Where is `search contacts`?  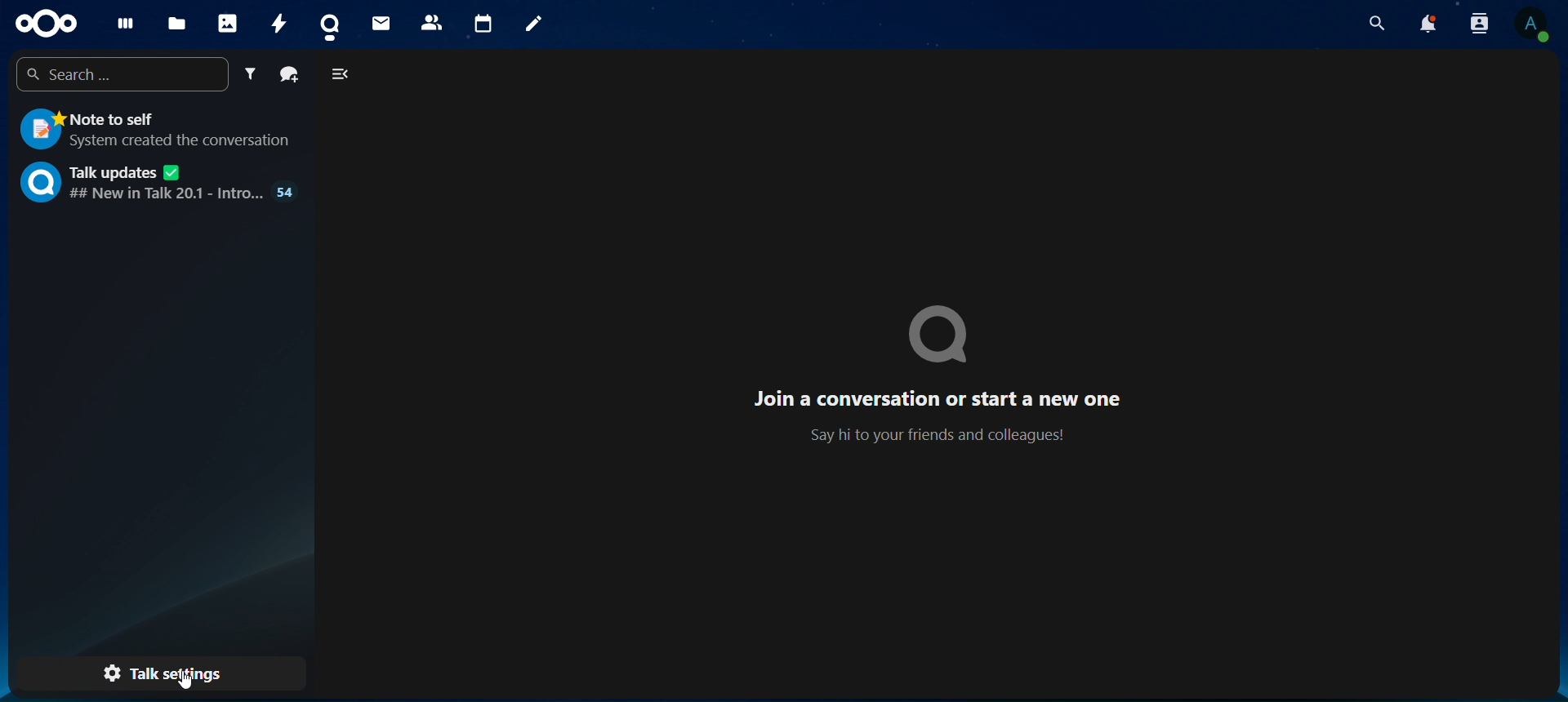 search contacts is located at coordinates (1376, 23).